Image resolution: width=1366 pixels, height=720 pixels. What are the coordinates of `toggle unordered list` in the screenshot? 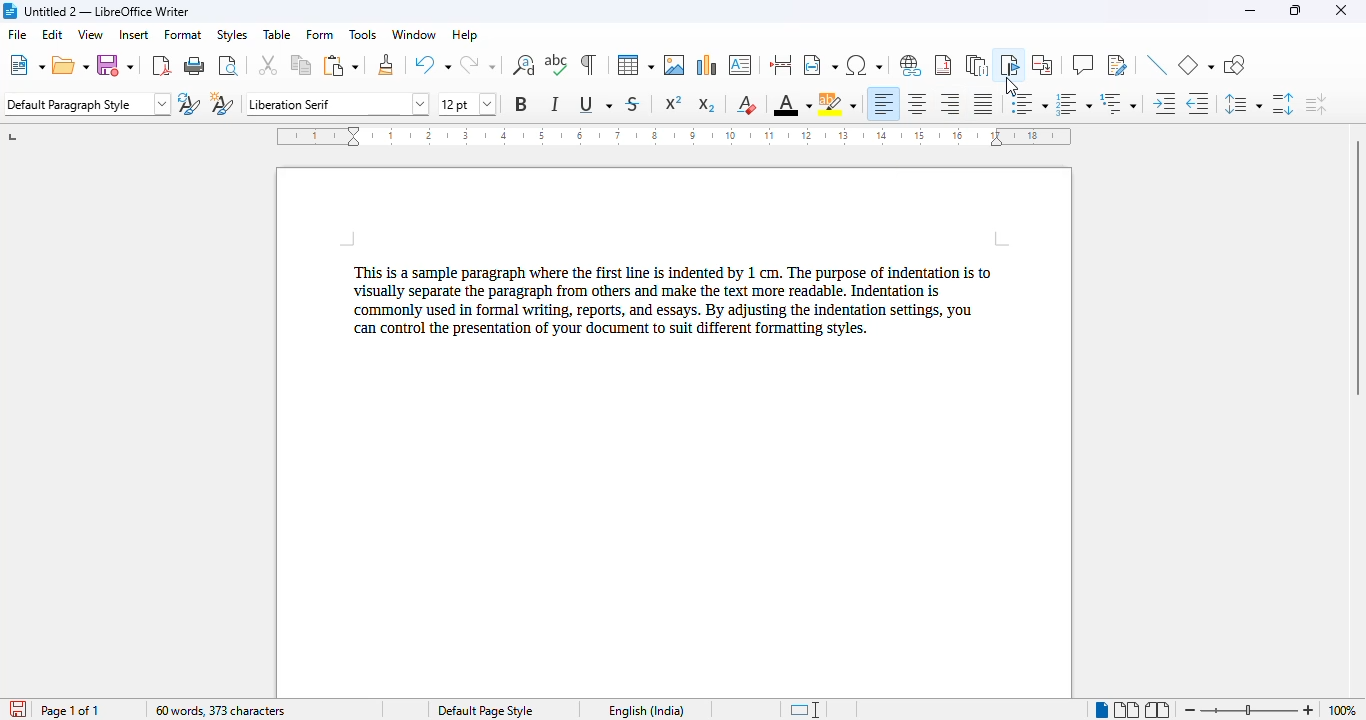 It's located at (1030, 103).